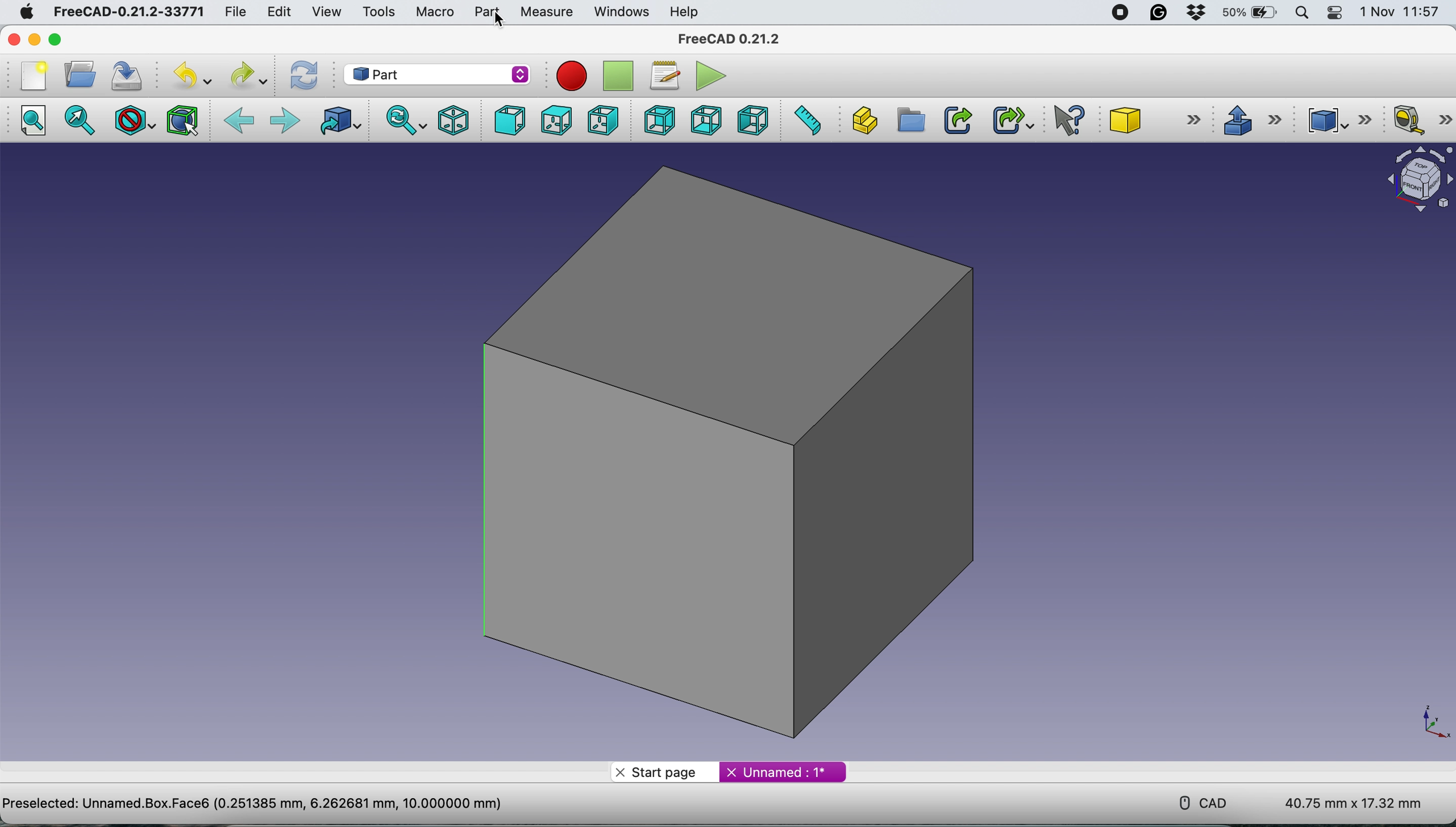 This screenshot has width=1456, height=827. I want to click on grammarly, so click(1162, 13).